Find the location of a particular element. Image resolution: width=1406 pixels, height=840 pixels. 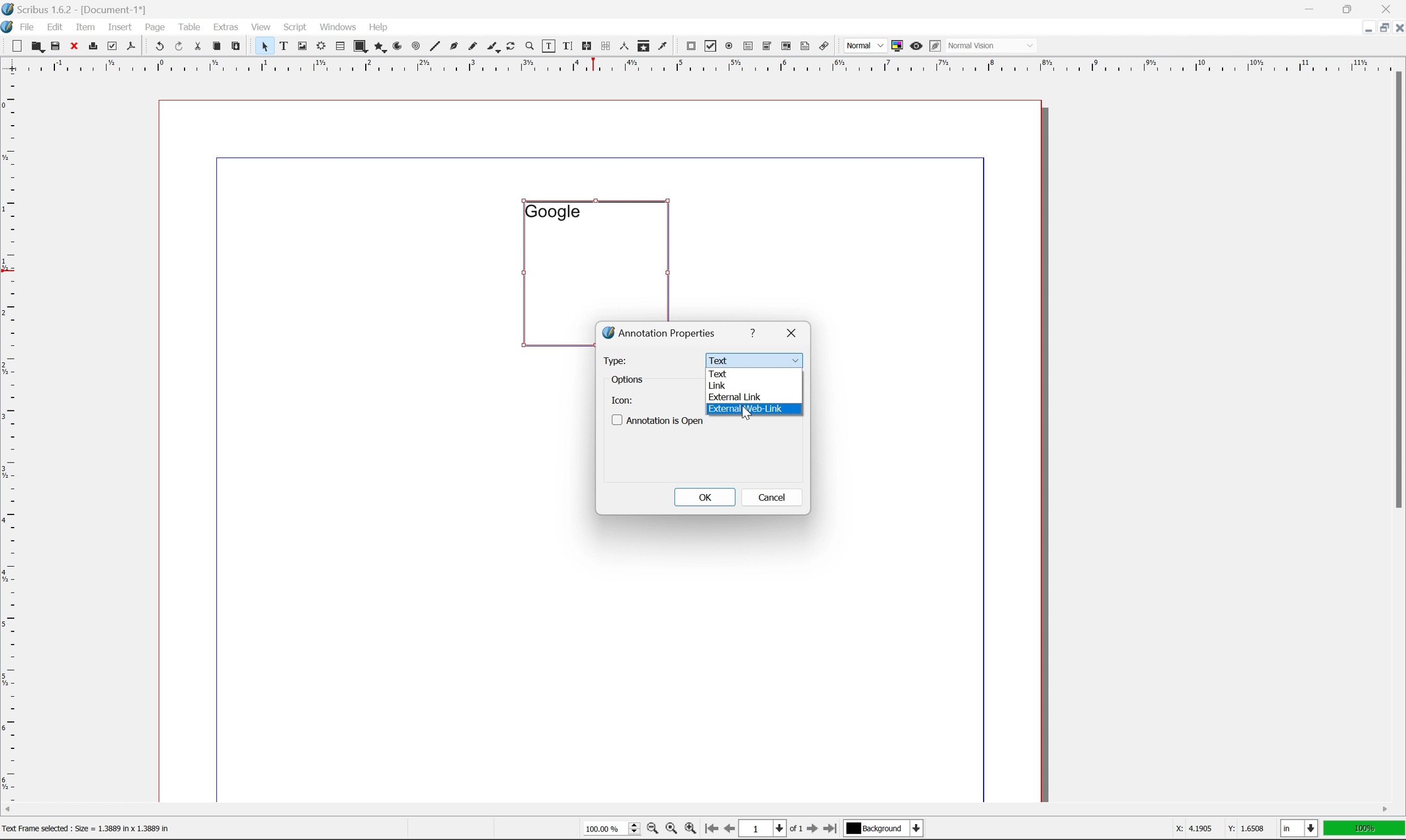

toggle color management system is located at coordinates (895, 45).